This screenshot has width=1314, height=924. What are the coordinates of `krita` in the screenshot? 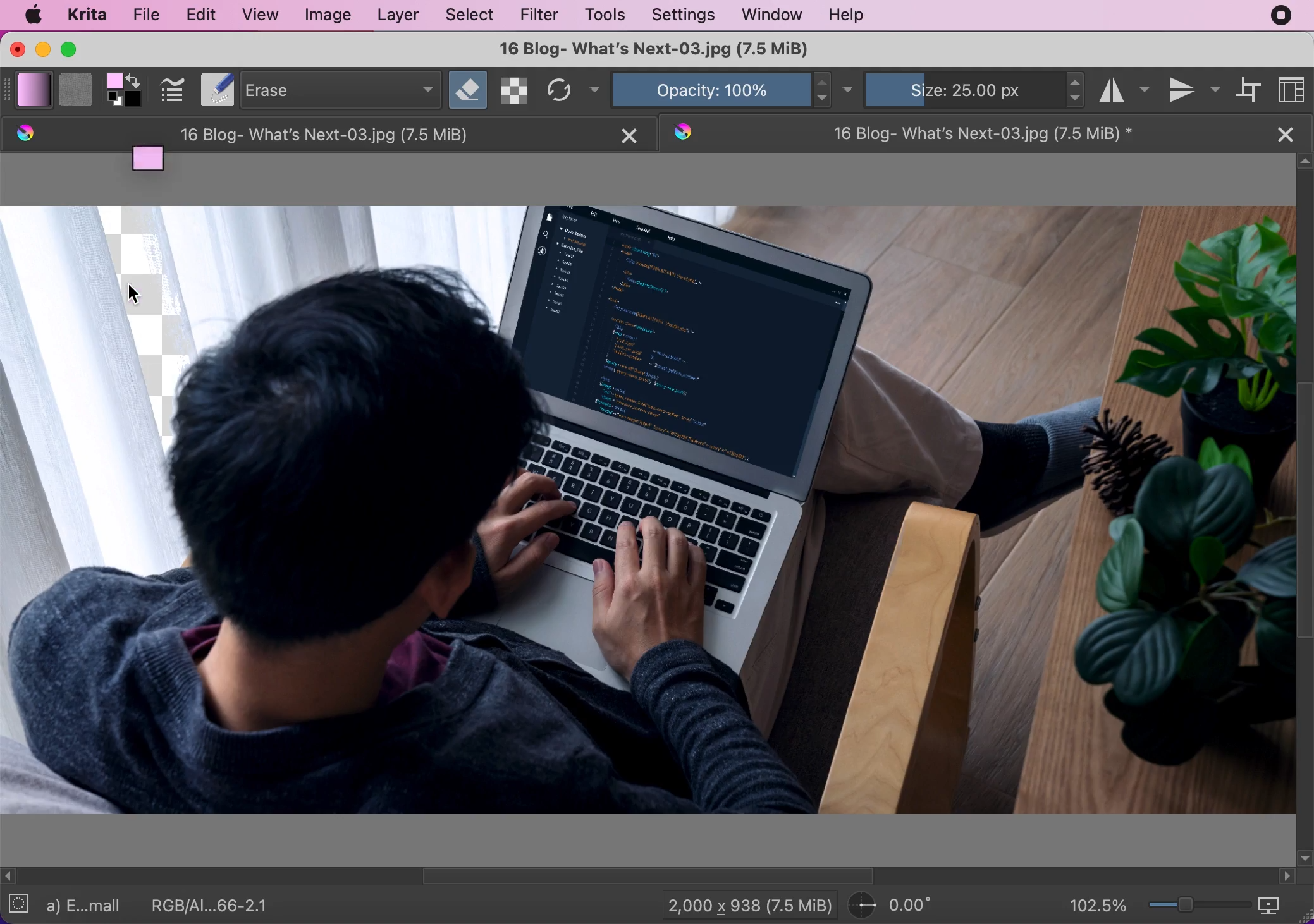 It's located at (90, 13).